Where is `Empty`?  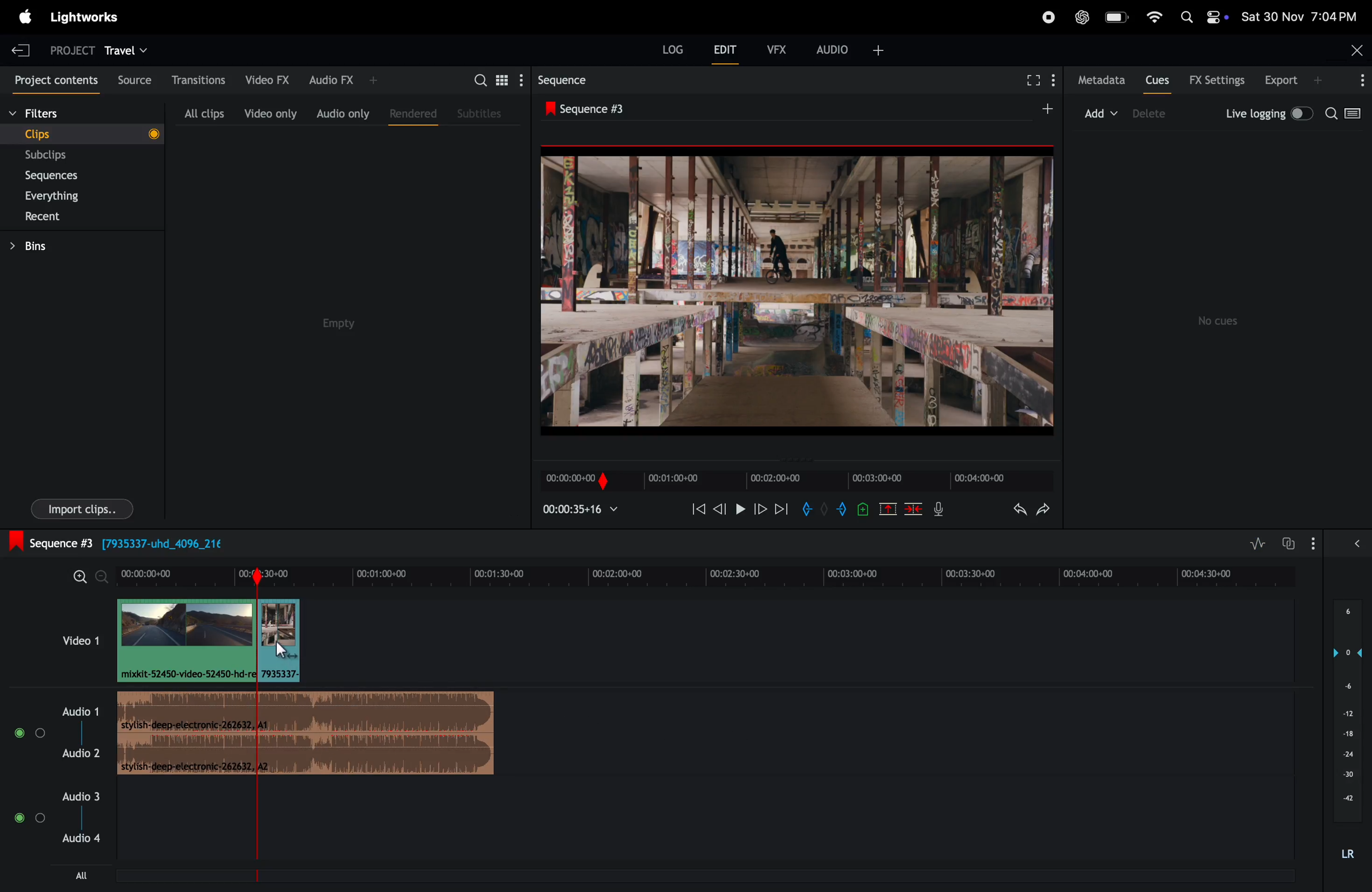 Empty is located at coordinates (348, 320).